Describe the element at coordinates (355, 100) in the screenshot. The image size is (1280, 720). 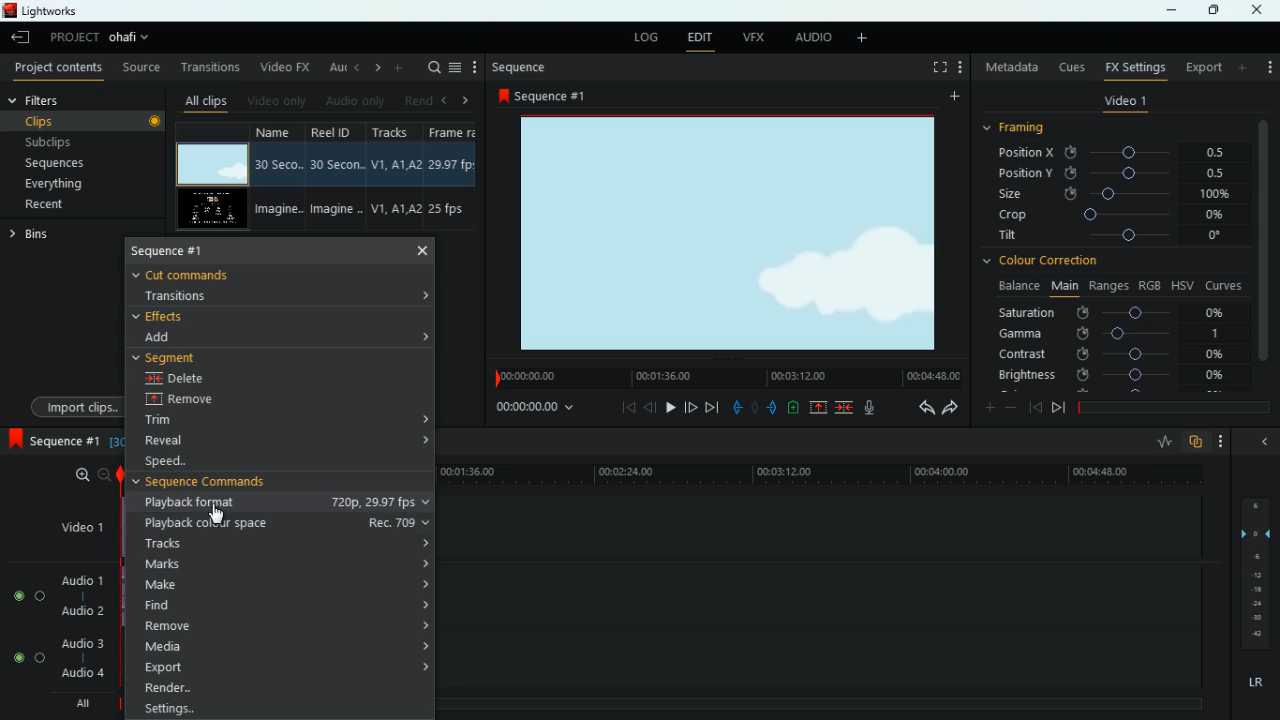
I see `audio only` at that location.